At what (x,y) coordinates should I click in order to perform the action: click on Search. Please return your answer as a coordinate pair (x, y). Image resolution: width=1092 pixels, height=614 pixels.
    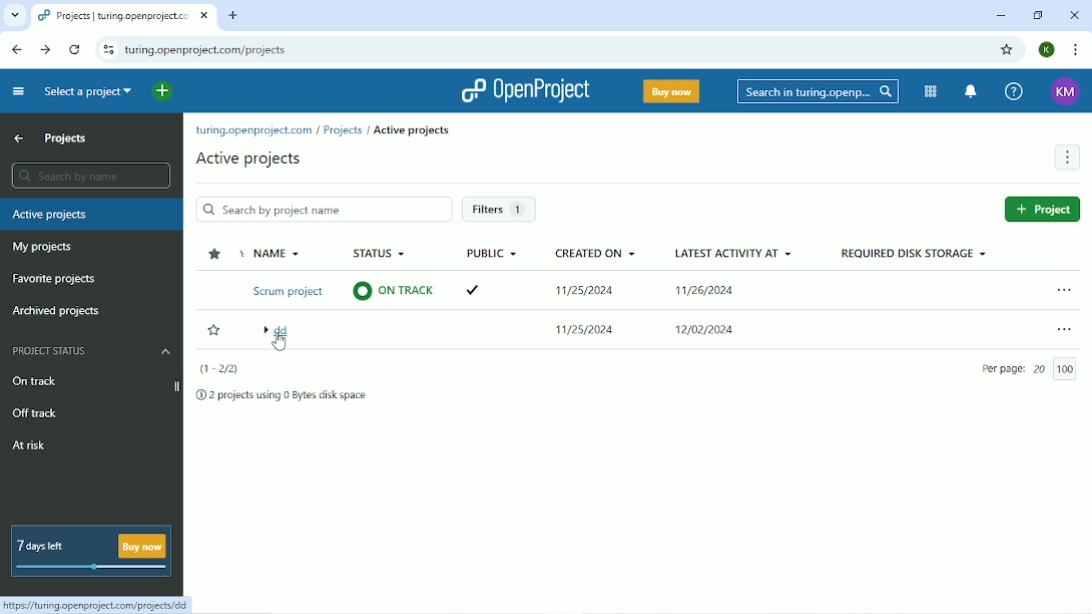
    Looking at the image, I should click on (818, 92).